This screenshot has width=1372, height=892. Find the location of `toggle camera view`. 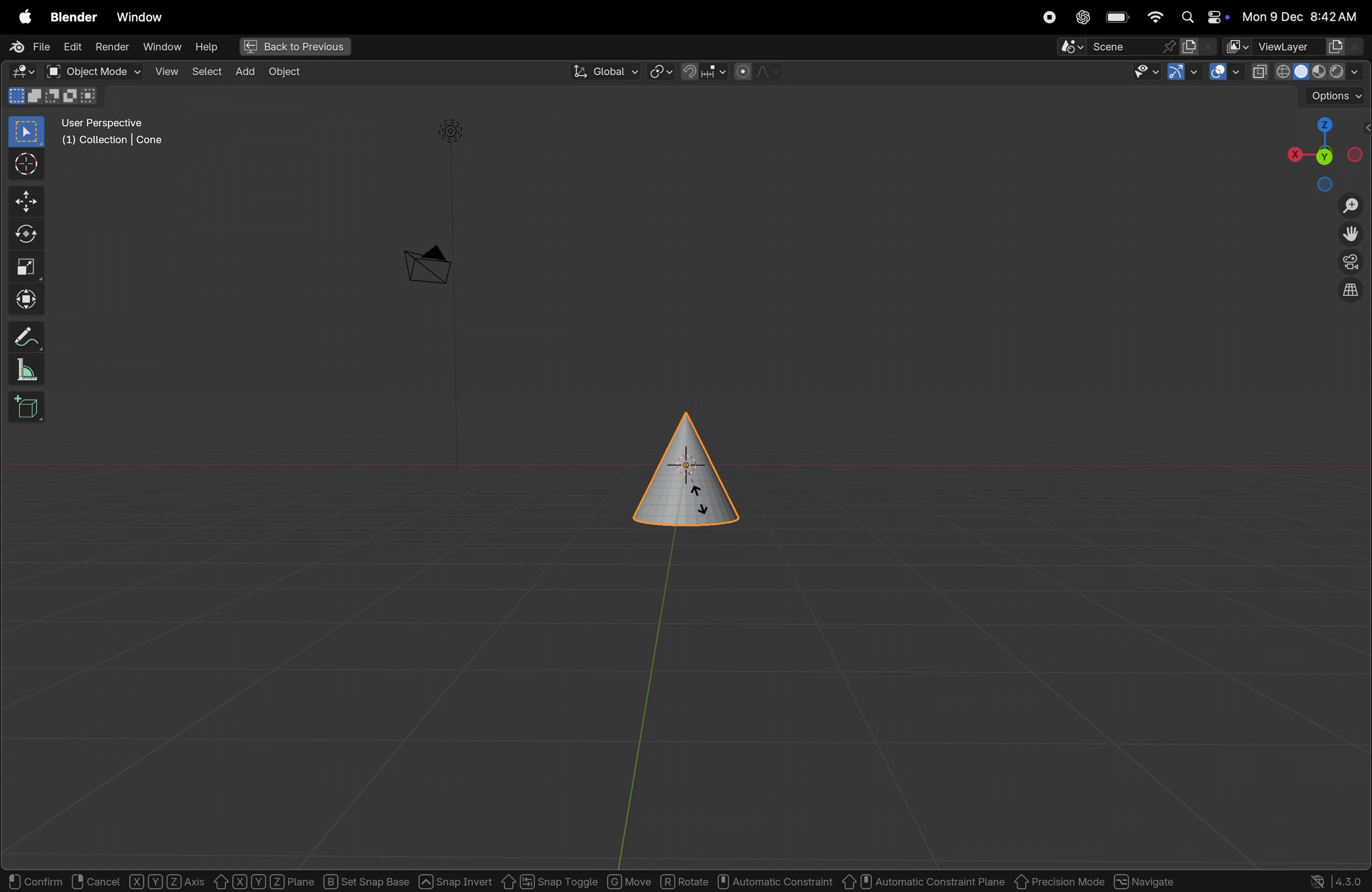

toggle camera view is located at coordinates (1352, 260).